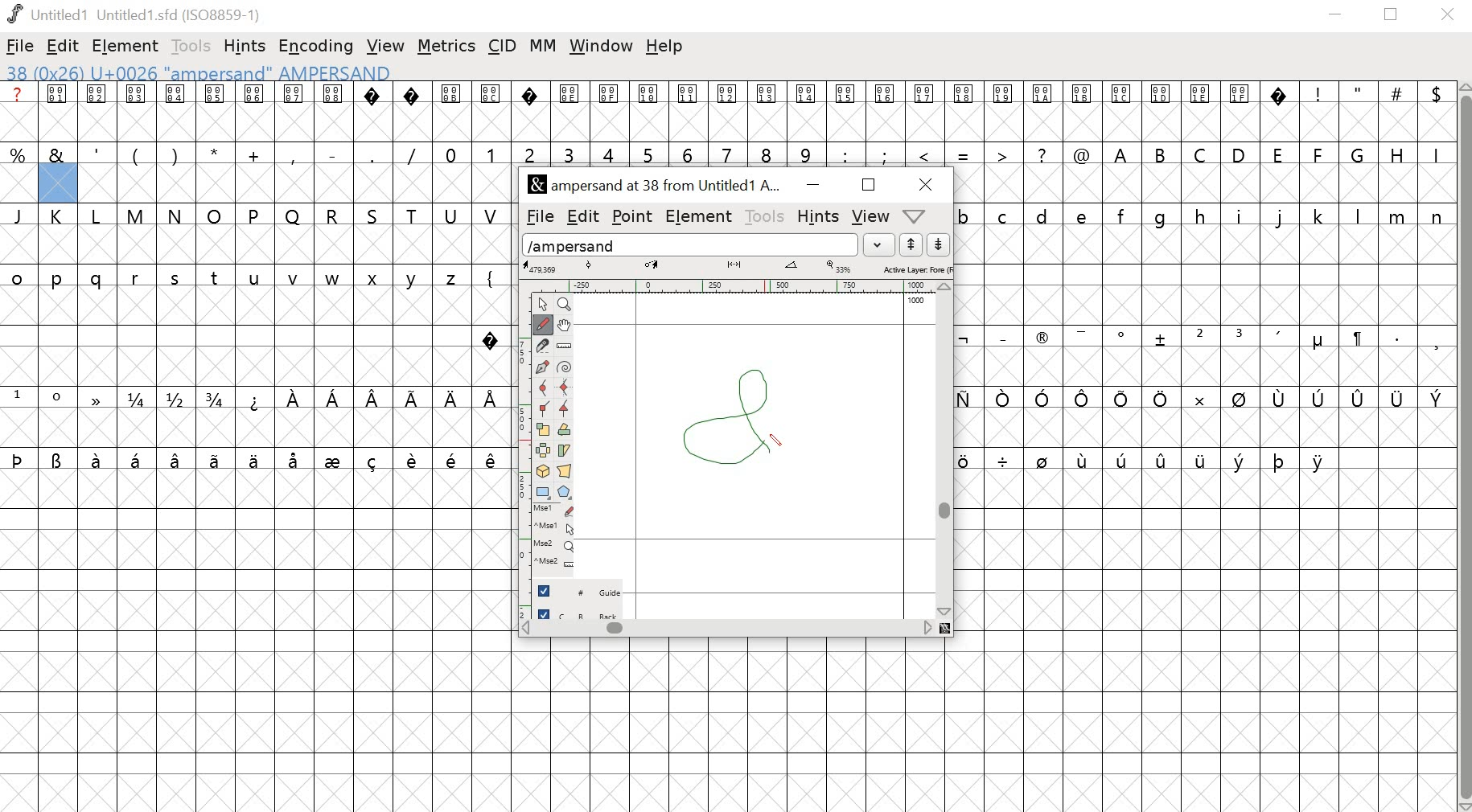 This screenshot has height=812, width=1472. I want to click on 001B, so click(1079, 111).